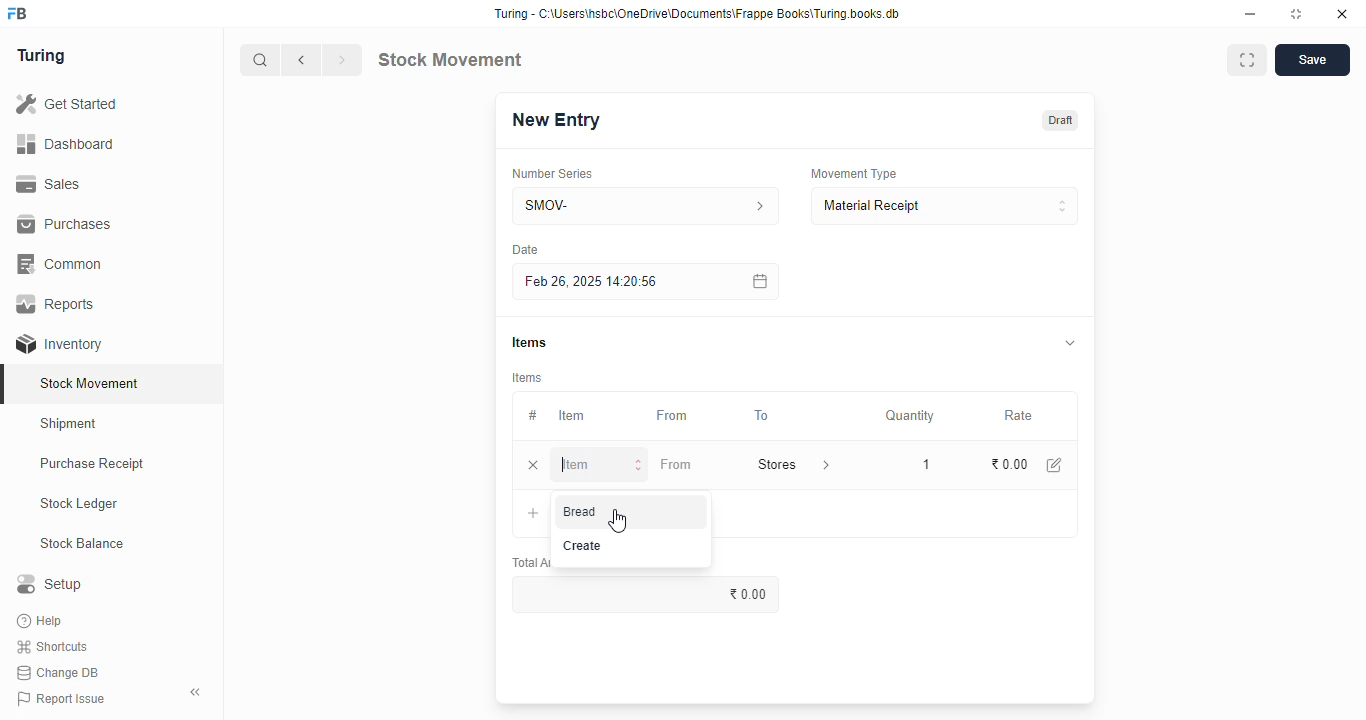  What do you see at coordinates (261, 60) in the screenshot?
I see `search` at bounding box center [261, 60].